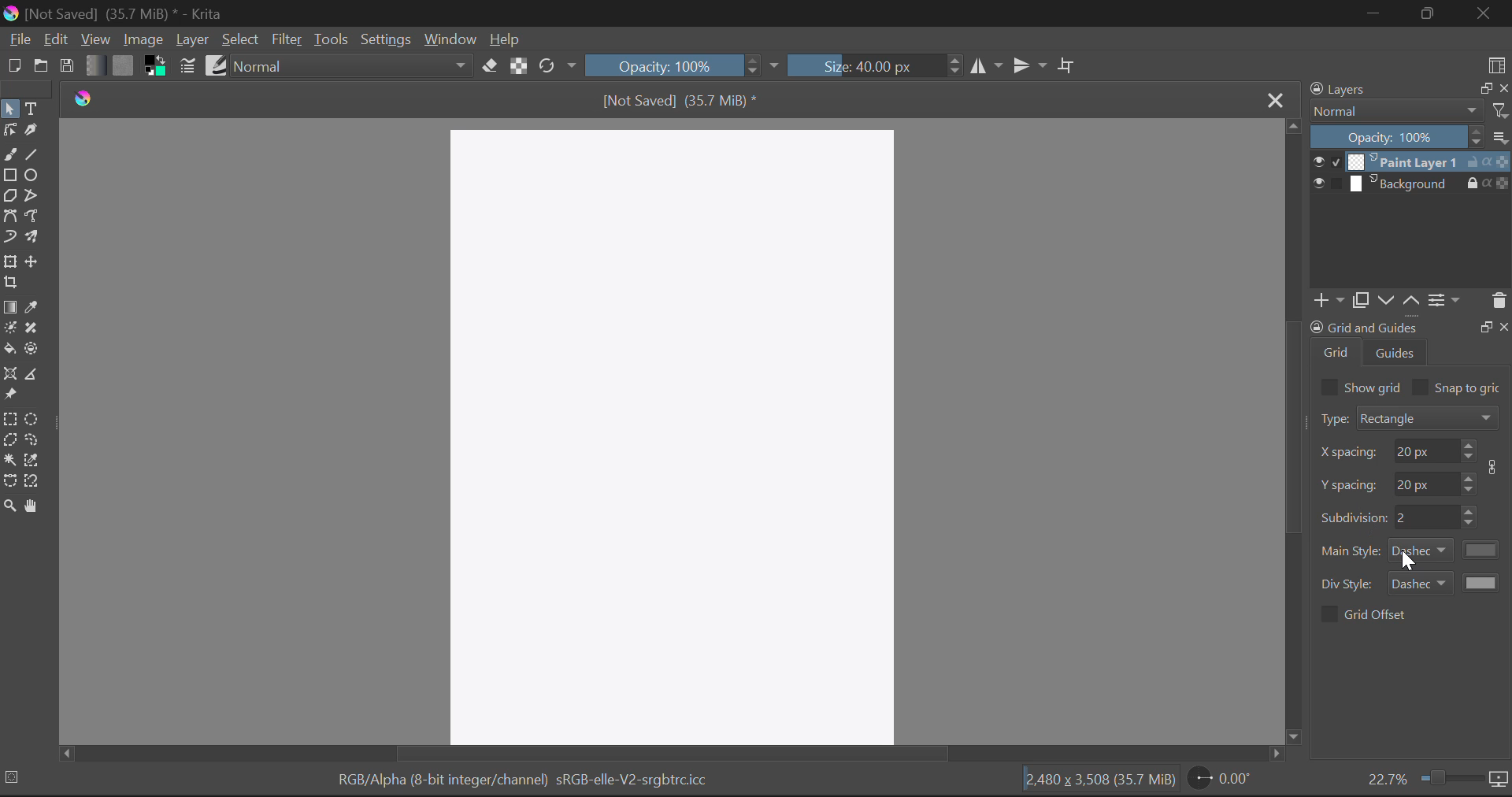 The height and width of the screenshot is (797, 1512). I want to click on Crop, so click(10, 283).